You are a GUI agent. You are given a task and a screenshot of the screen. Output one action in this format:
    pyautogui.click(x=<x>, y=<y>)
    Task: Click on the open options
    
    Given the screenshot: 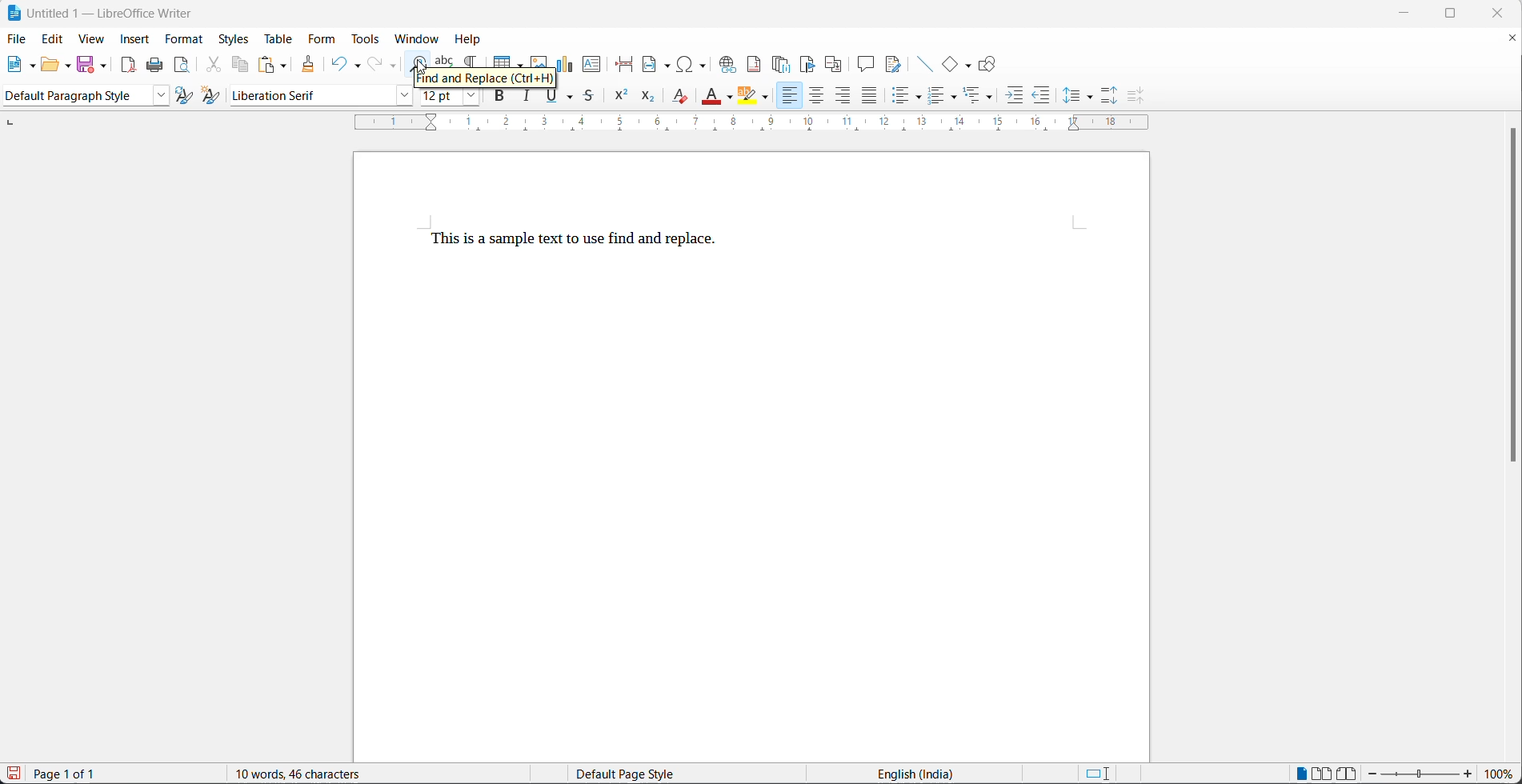 What is the action you would take?
    pyautogui.click(x=69, y=64)
    